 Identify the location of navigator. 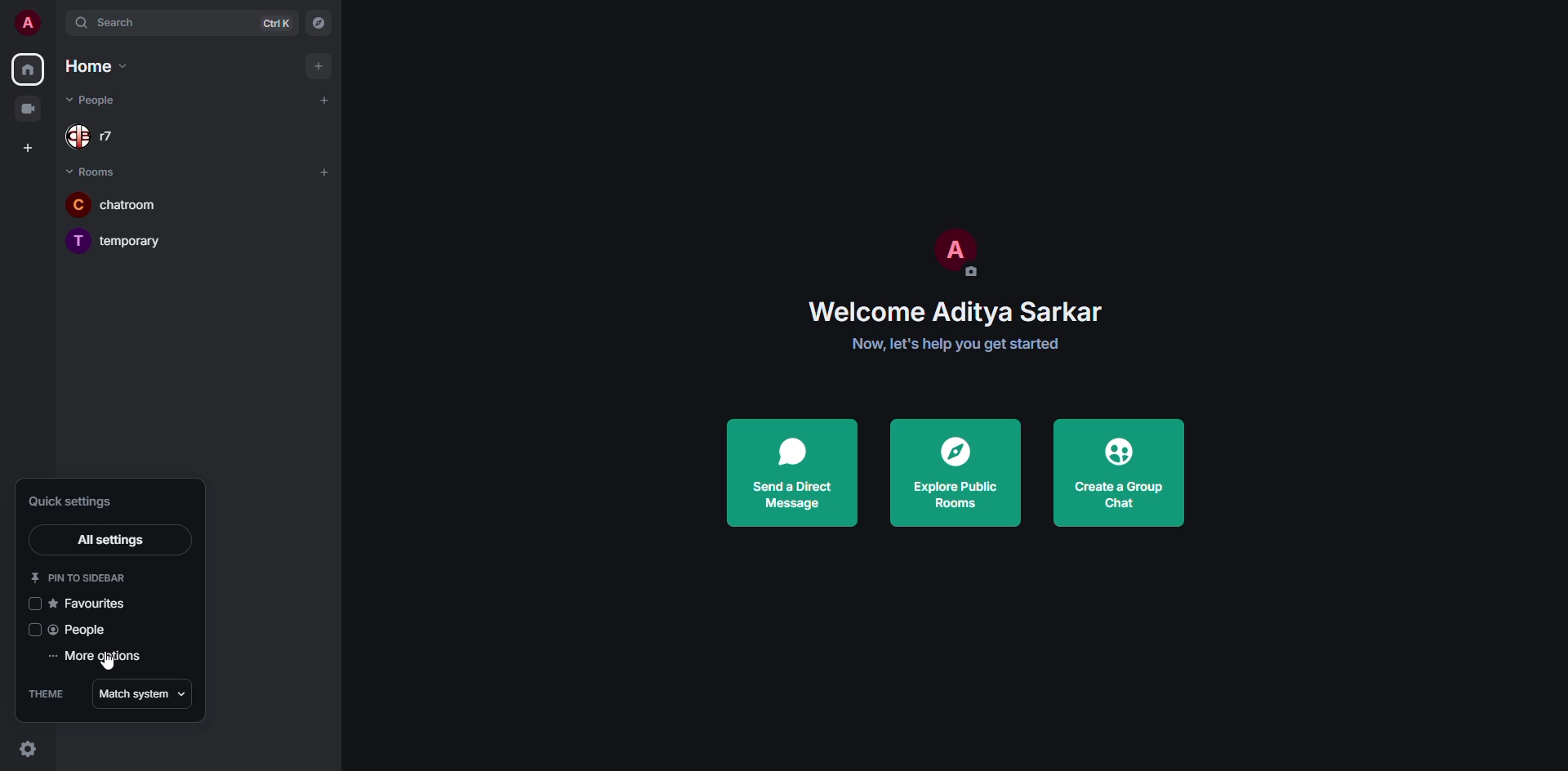
(320, 22).